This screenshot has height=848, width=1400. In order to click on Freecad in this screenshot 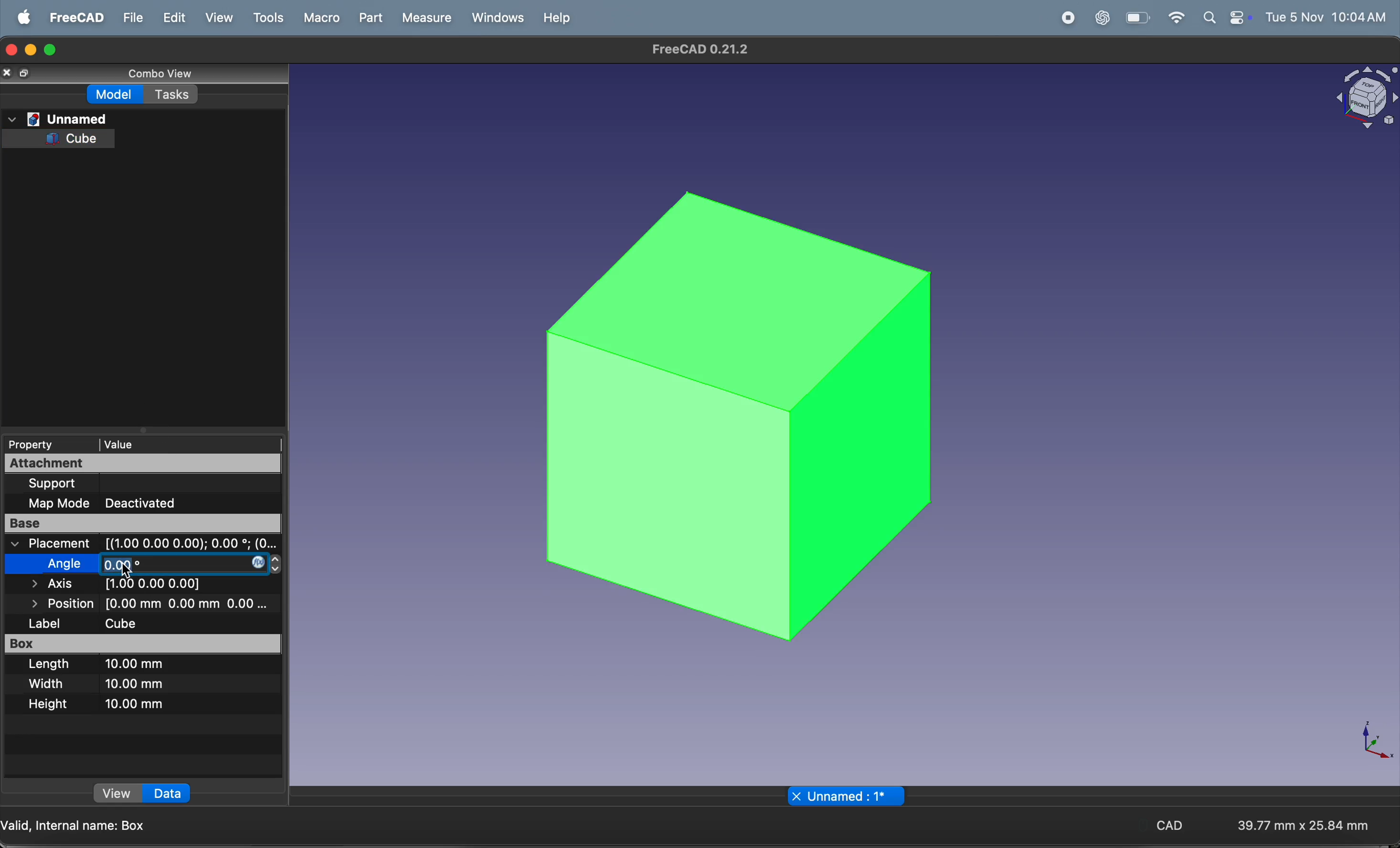, I will do `click(700, 49)`.